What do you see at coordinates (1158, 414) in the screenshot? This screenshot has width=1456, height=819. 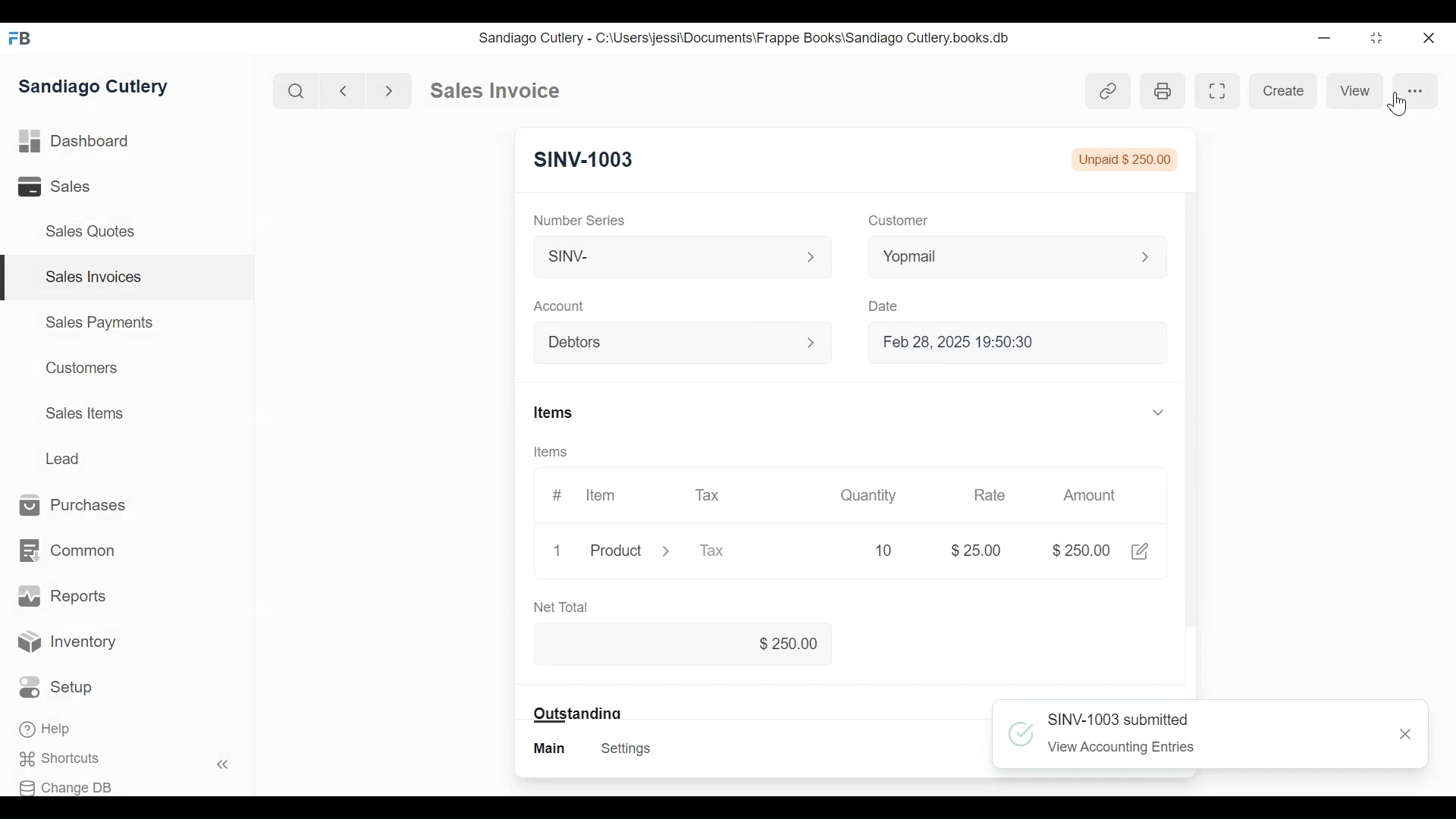 I see `v` at bounding box center [1158, 414].